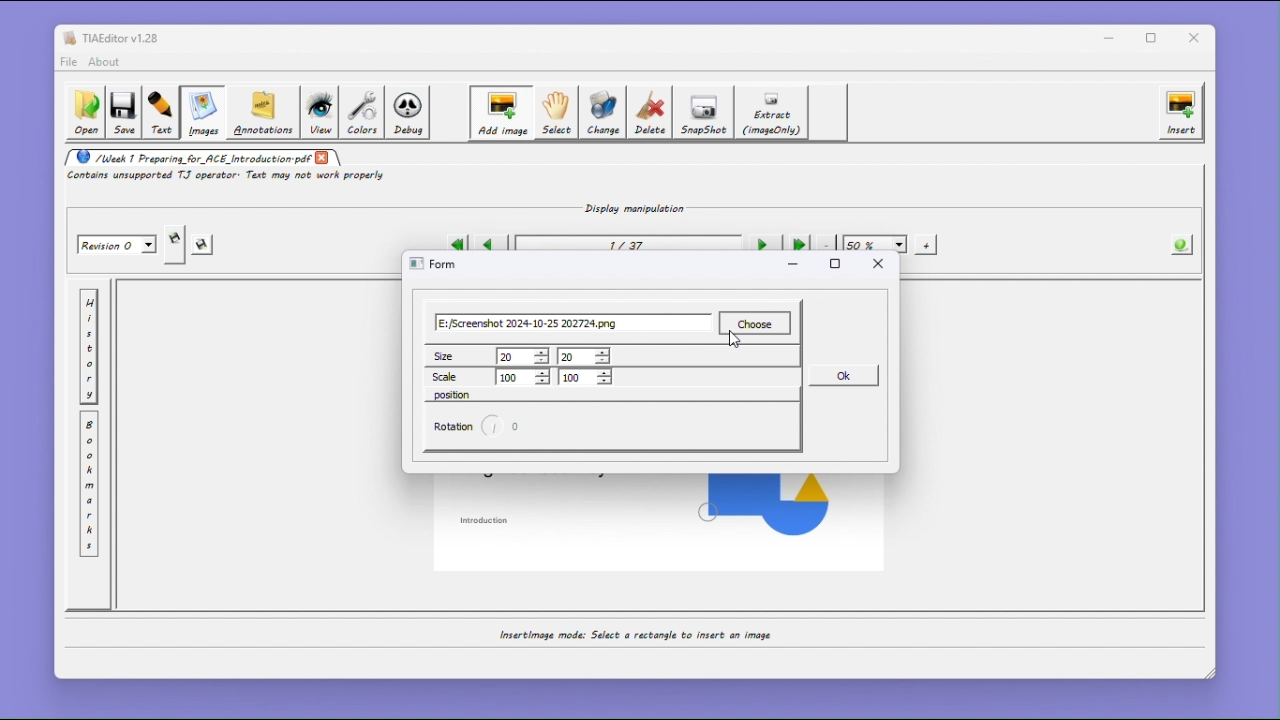 Image resolution: width=1280 pixels, height=720 pixels. I want to click on Open, so click(84, 113).